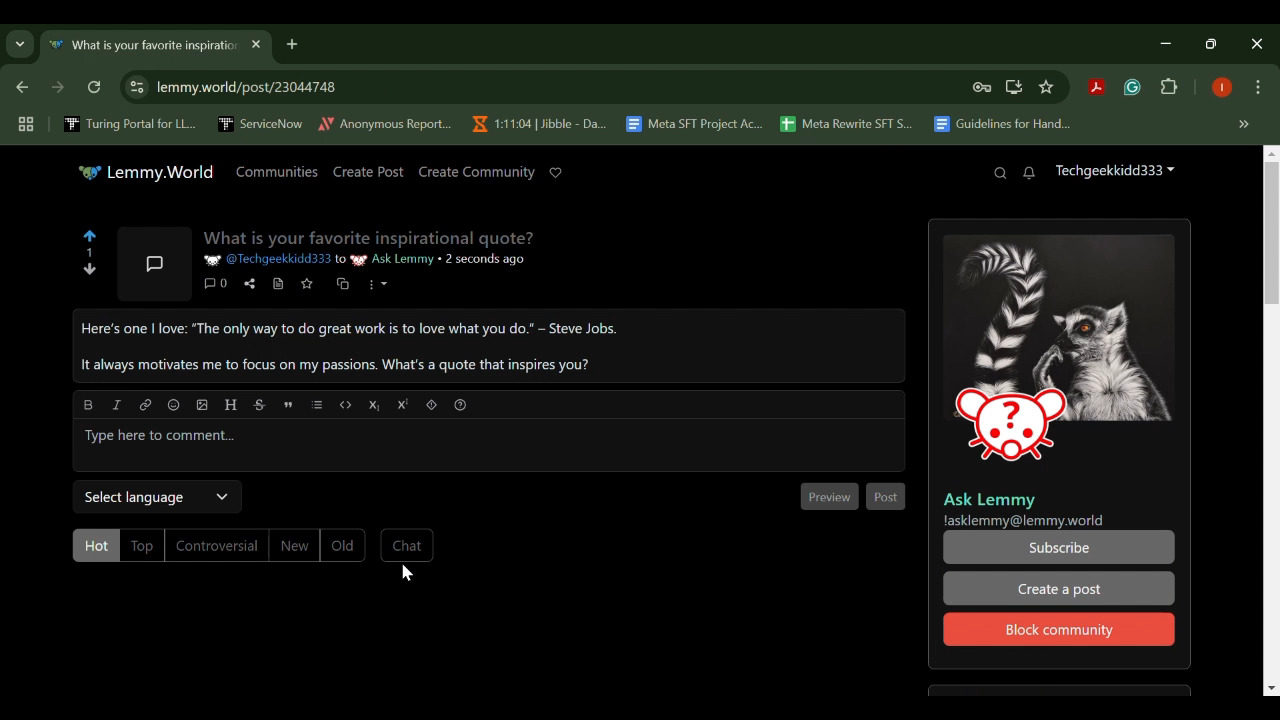  Describe the element at coordinates (346, 403) in the screenshot. I see `code` at that location.